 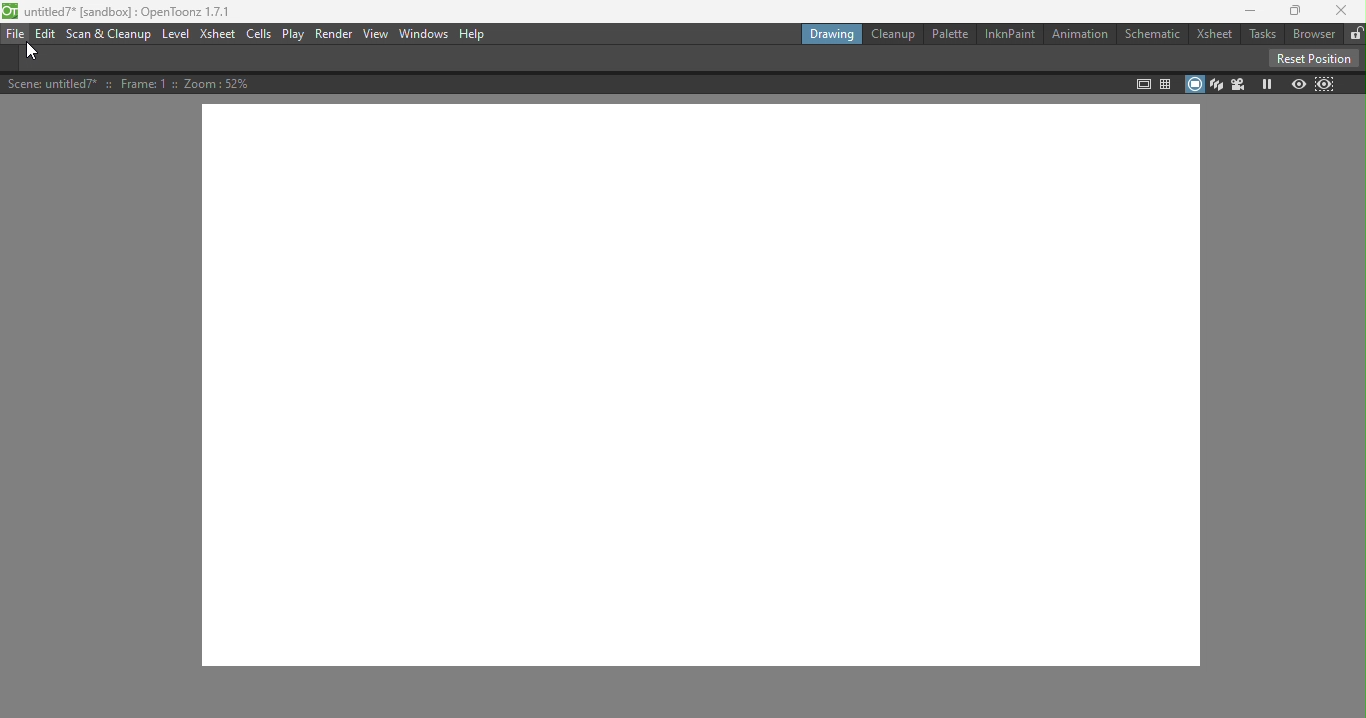 I want to click on Sub-camera preview, so click(x=1324, y=85).